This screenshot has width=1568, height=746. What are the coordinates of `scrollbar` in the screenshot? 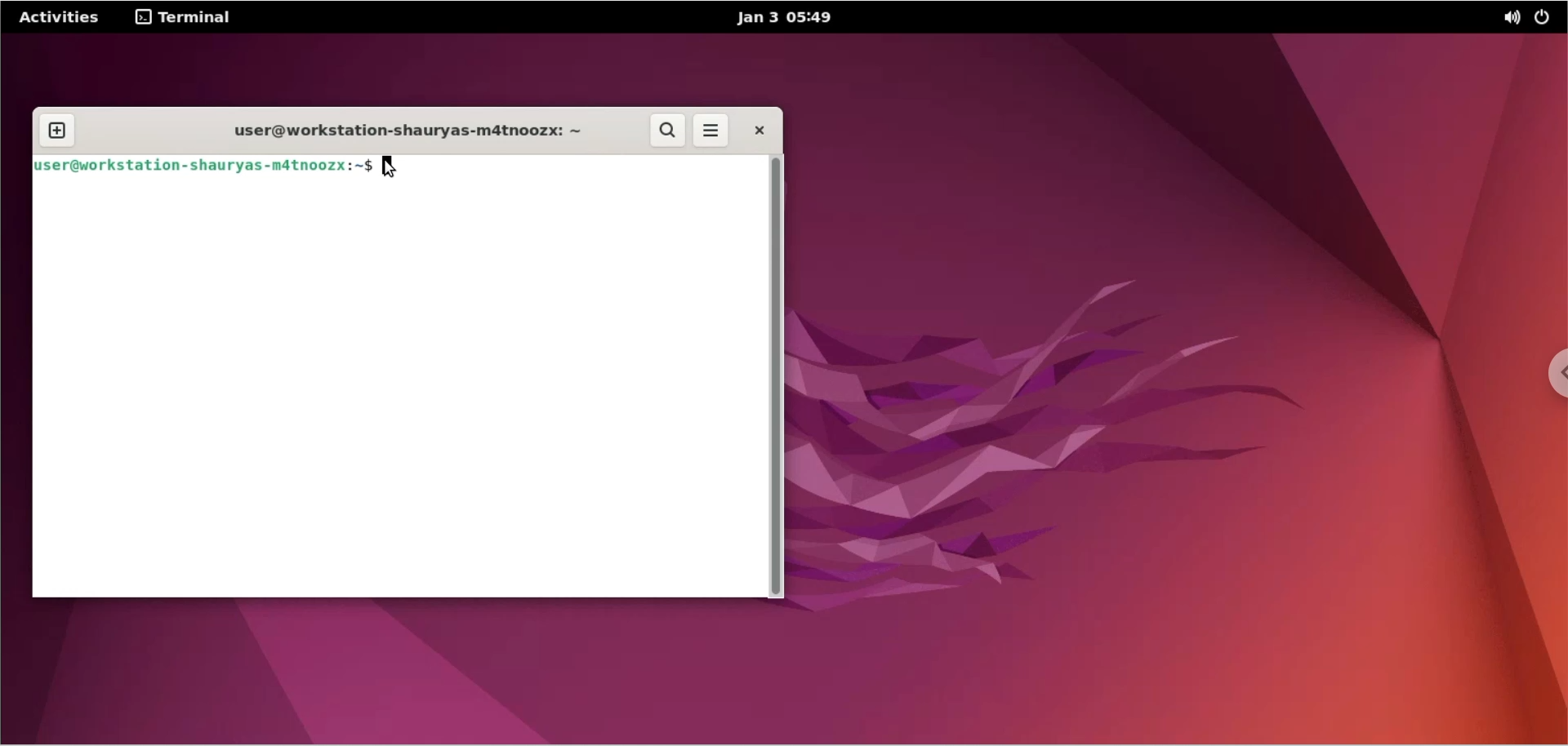 It's located at (777, 375).